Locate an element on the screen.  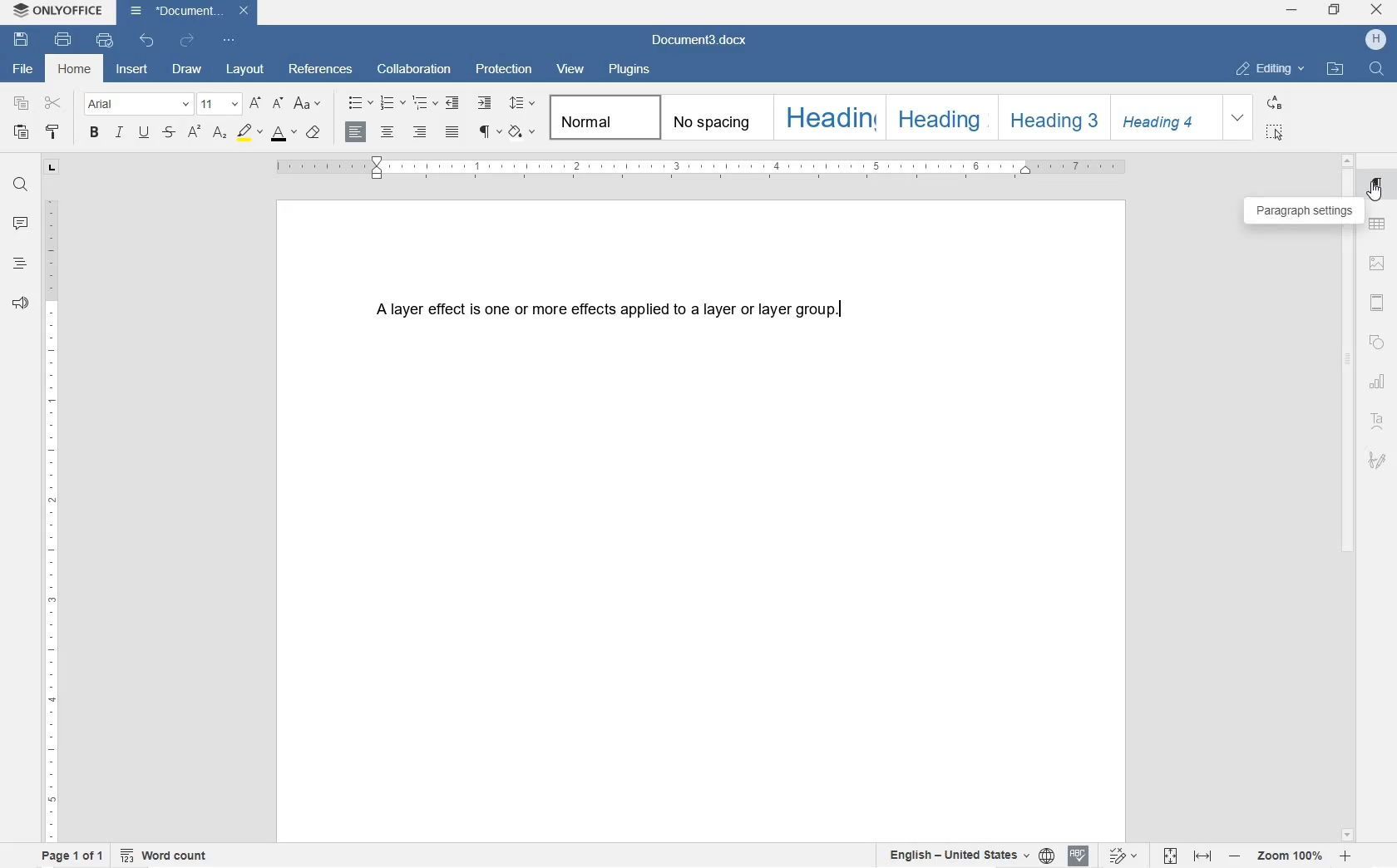
PRINT is located at coordinates (64, 40).